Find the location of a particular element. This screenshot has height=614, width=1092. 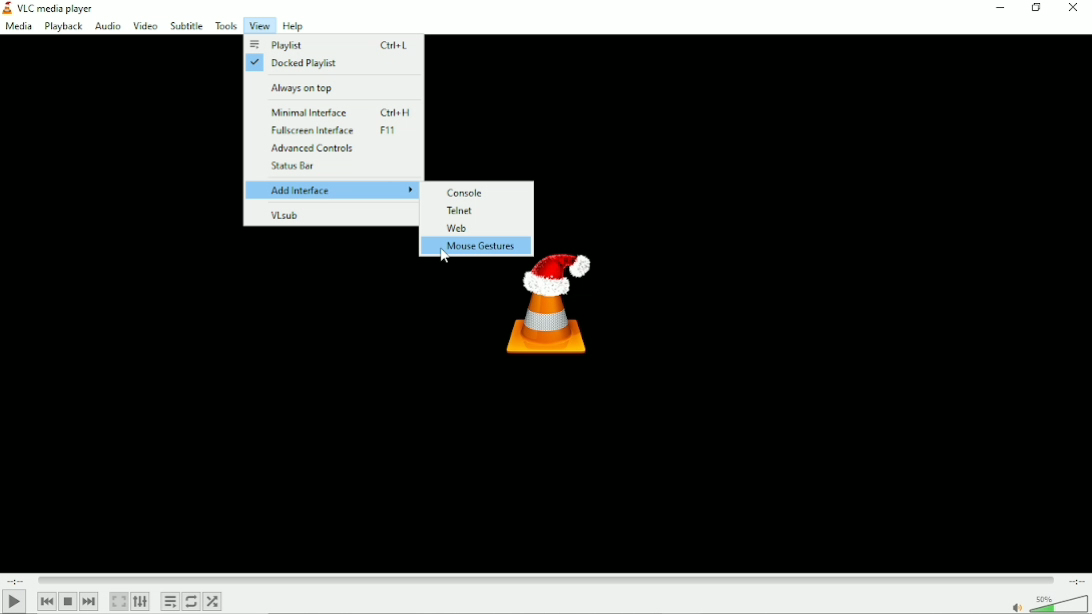

Toggle video in fullscreen is located at coordinates (119, 600).